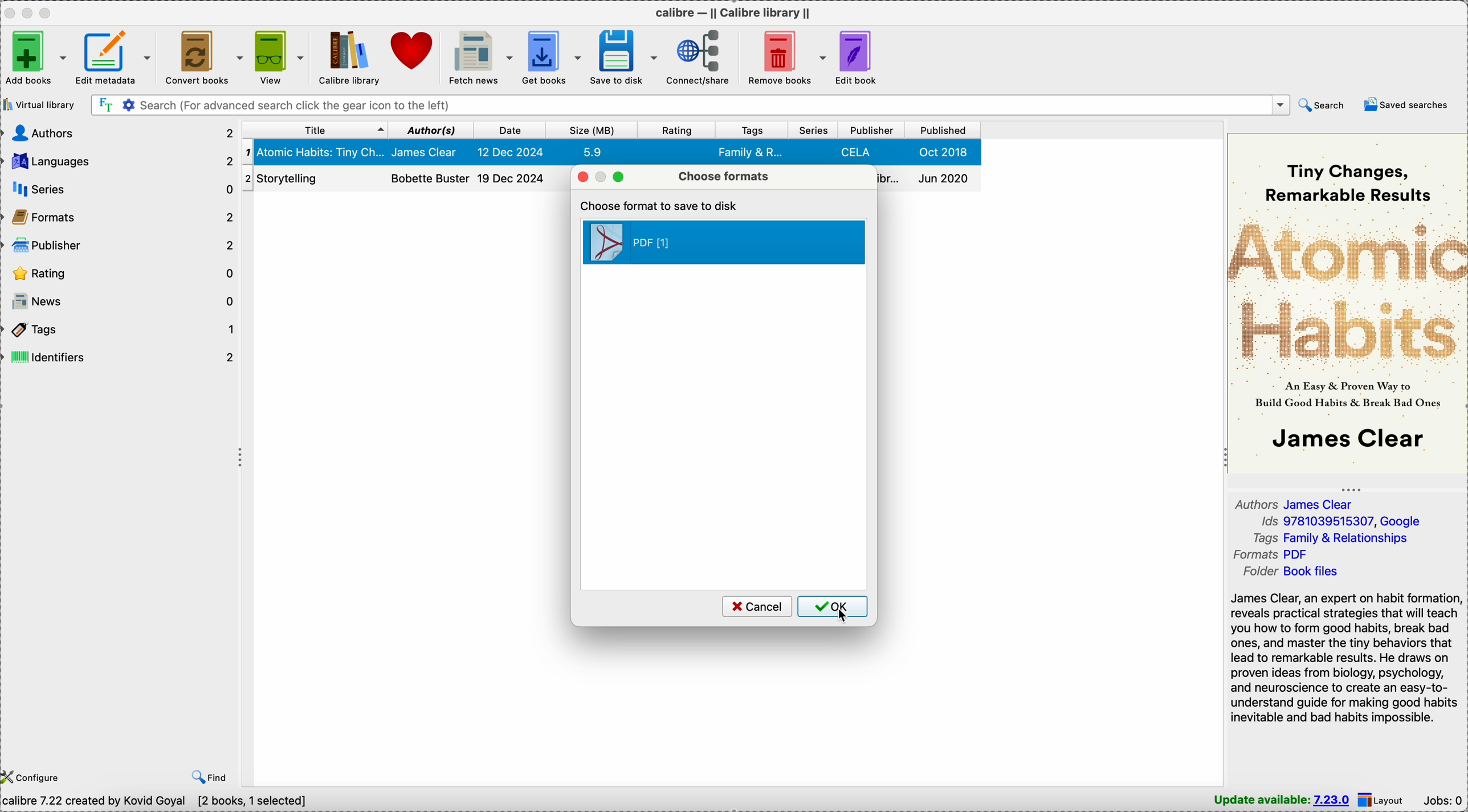 This screenshot has height=812, width=1468. What do you see at coordinates (212, 777) in the screenshot?
I see `find` at bounding box center [212, 777].